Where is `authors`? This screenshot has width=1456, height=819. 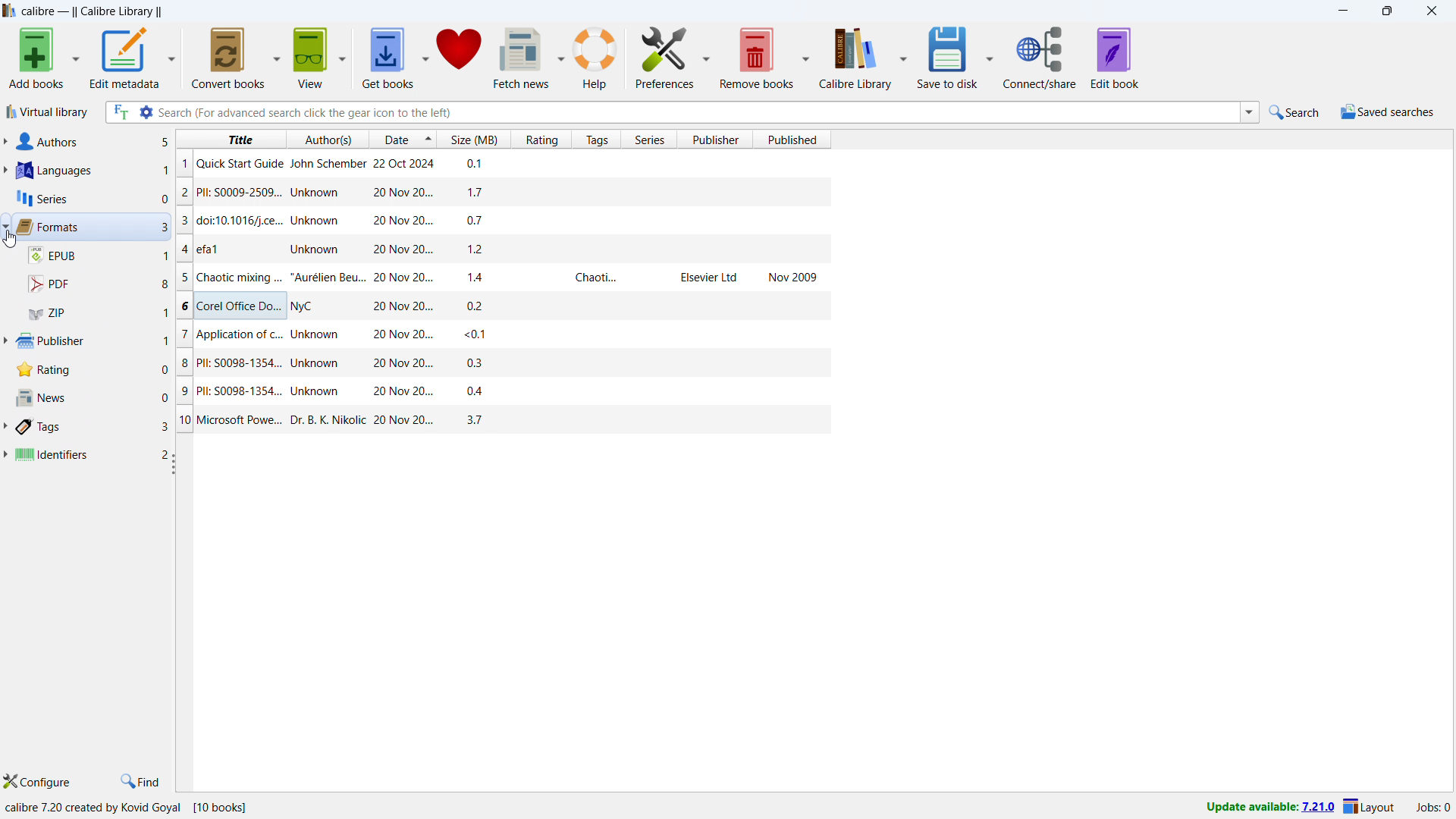
authors is located at coordinates (93, 142).